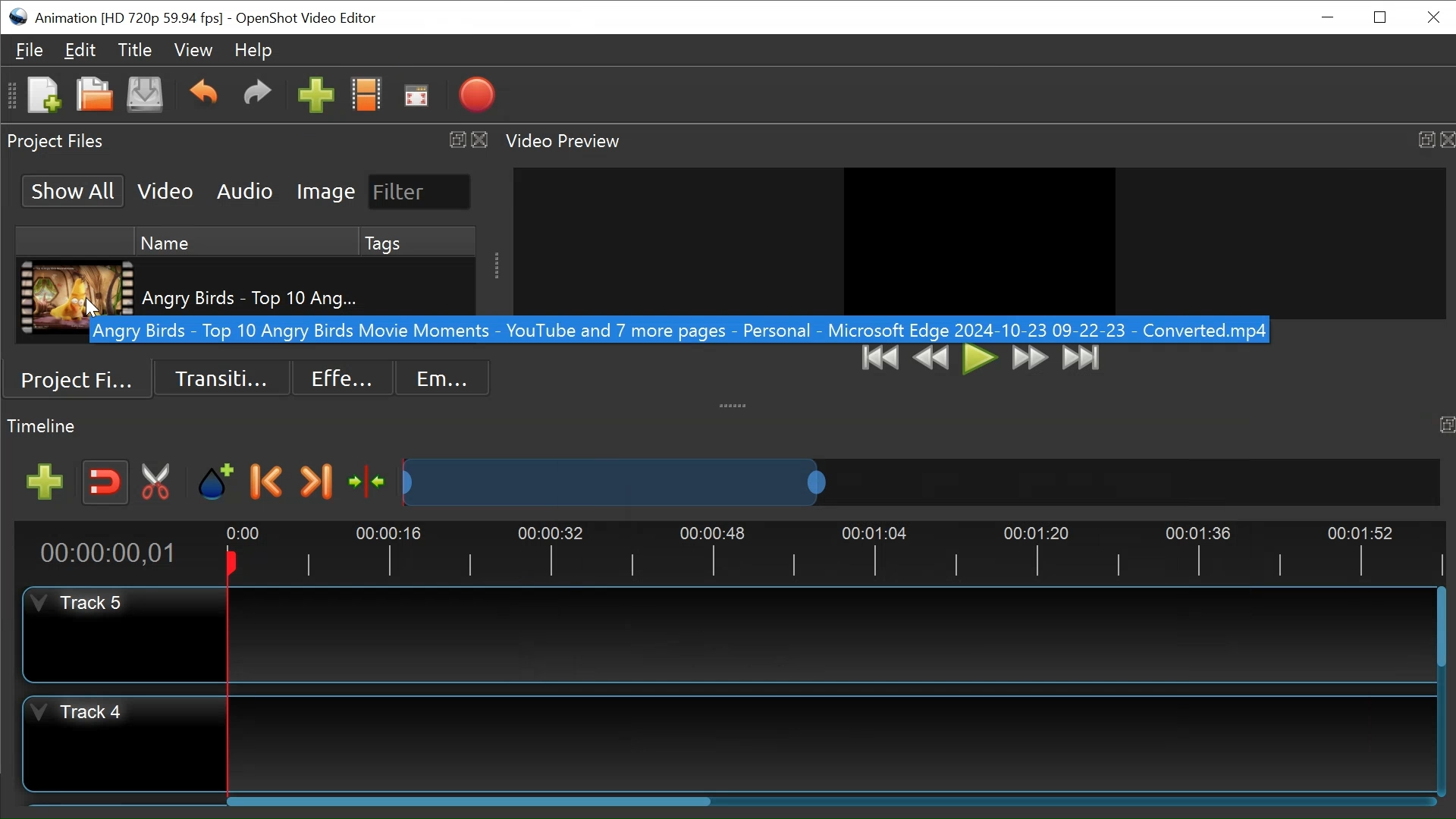  I want to click on OpenShot Video Editor, so click(306, 19).